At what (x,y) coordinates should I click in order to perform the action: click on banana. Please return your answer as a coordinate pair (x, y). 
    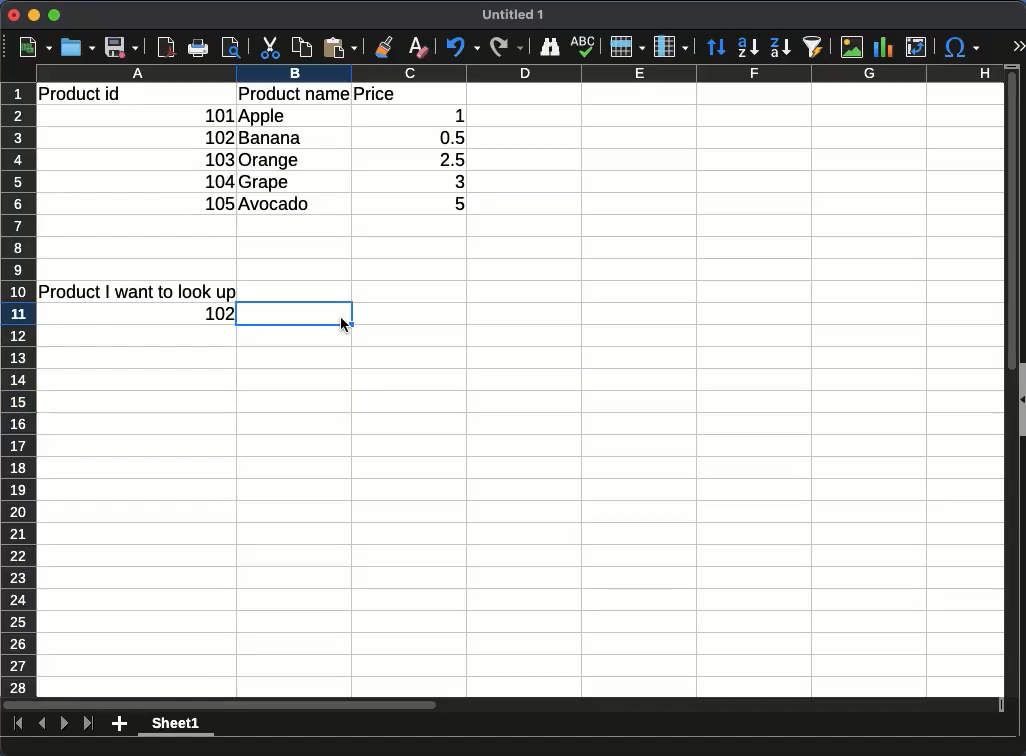
    Looking at the image, I should click on (271, 137).